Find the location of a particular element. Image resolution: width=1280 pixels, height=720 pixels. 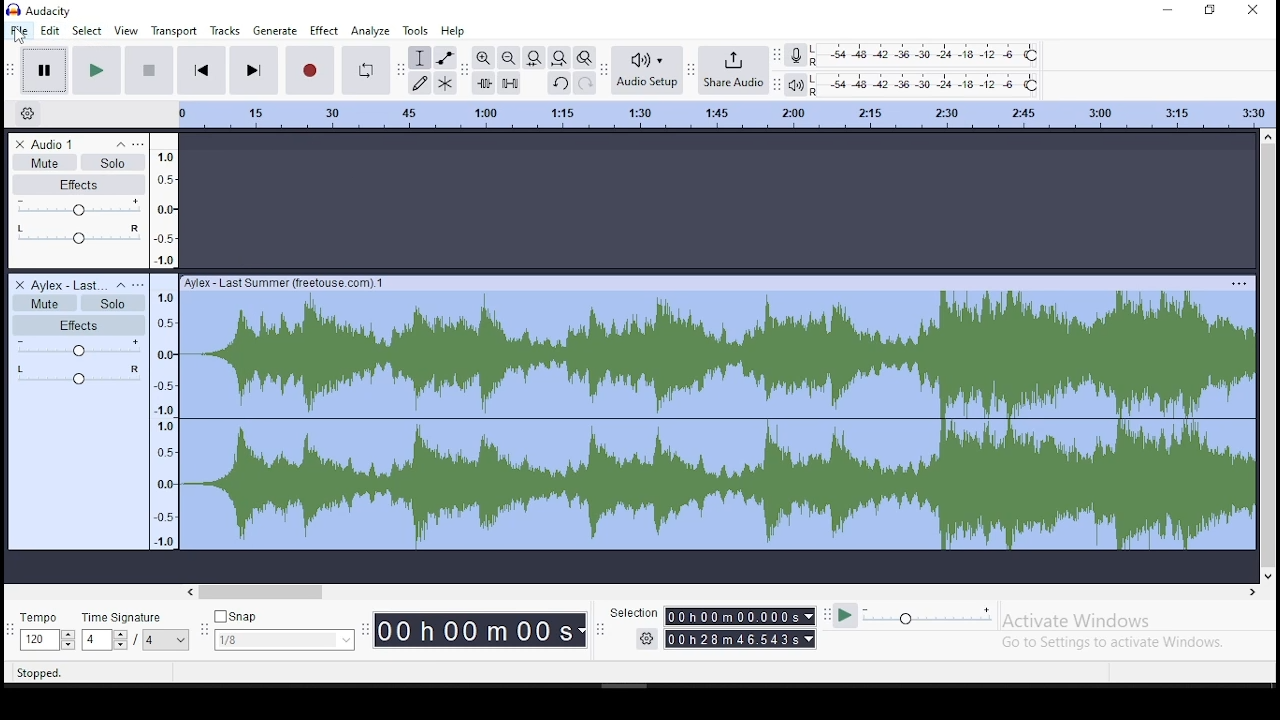

envelope tool is located at coordinates (445, 57).